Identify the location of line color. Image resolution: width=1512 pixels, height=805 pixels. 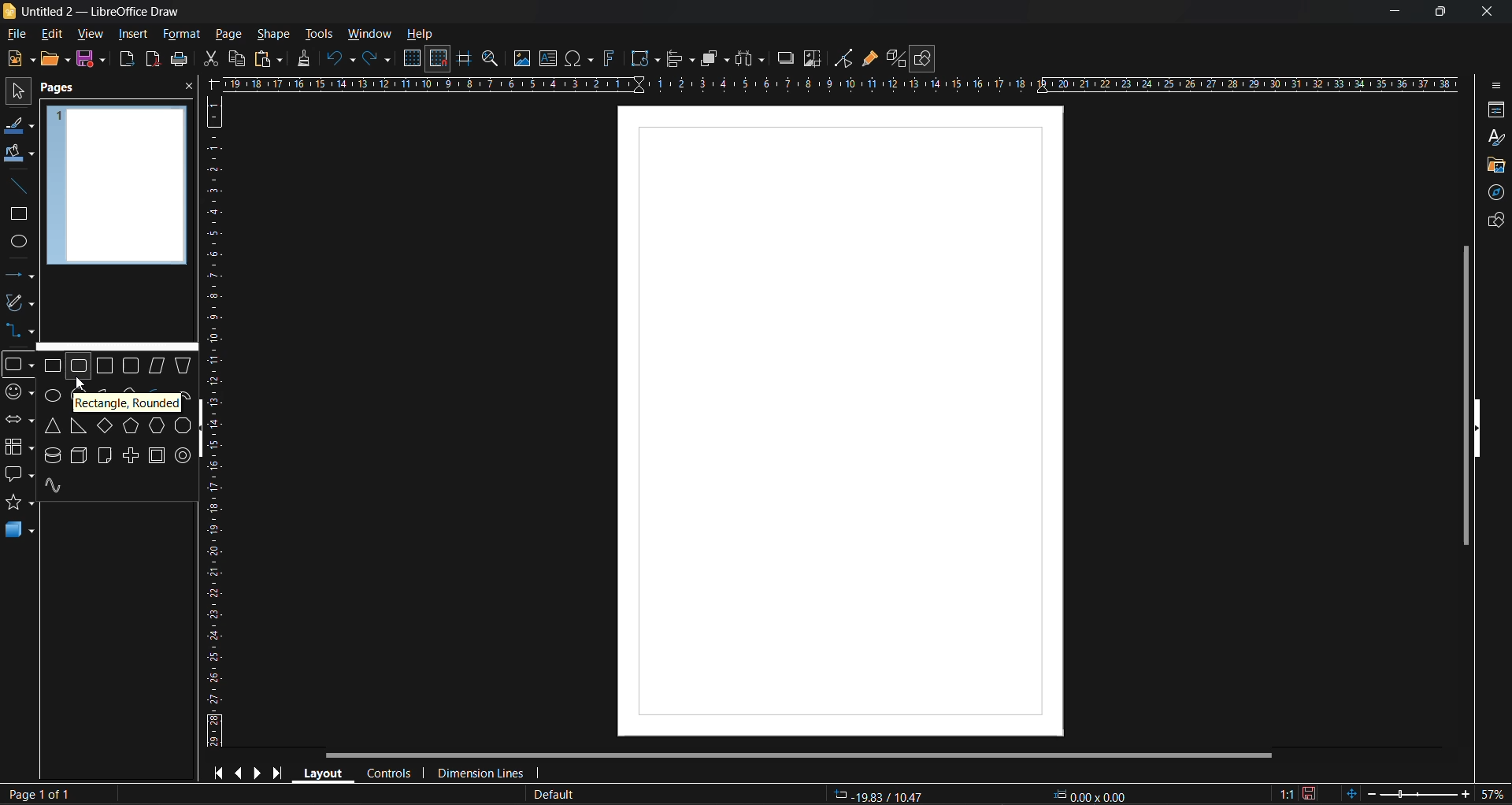
(20, 128).